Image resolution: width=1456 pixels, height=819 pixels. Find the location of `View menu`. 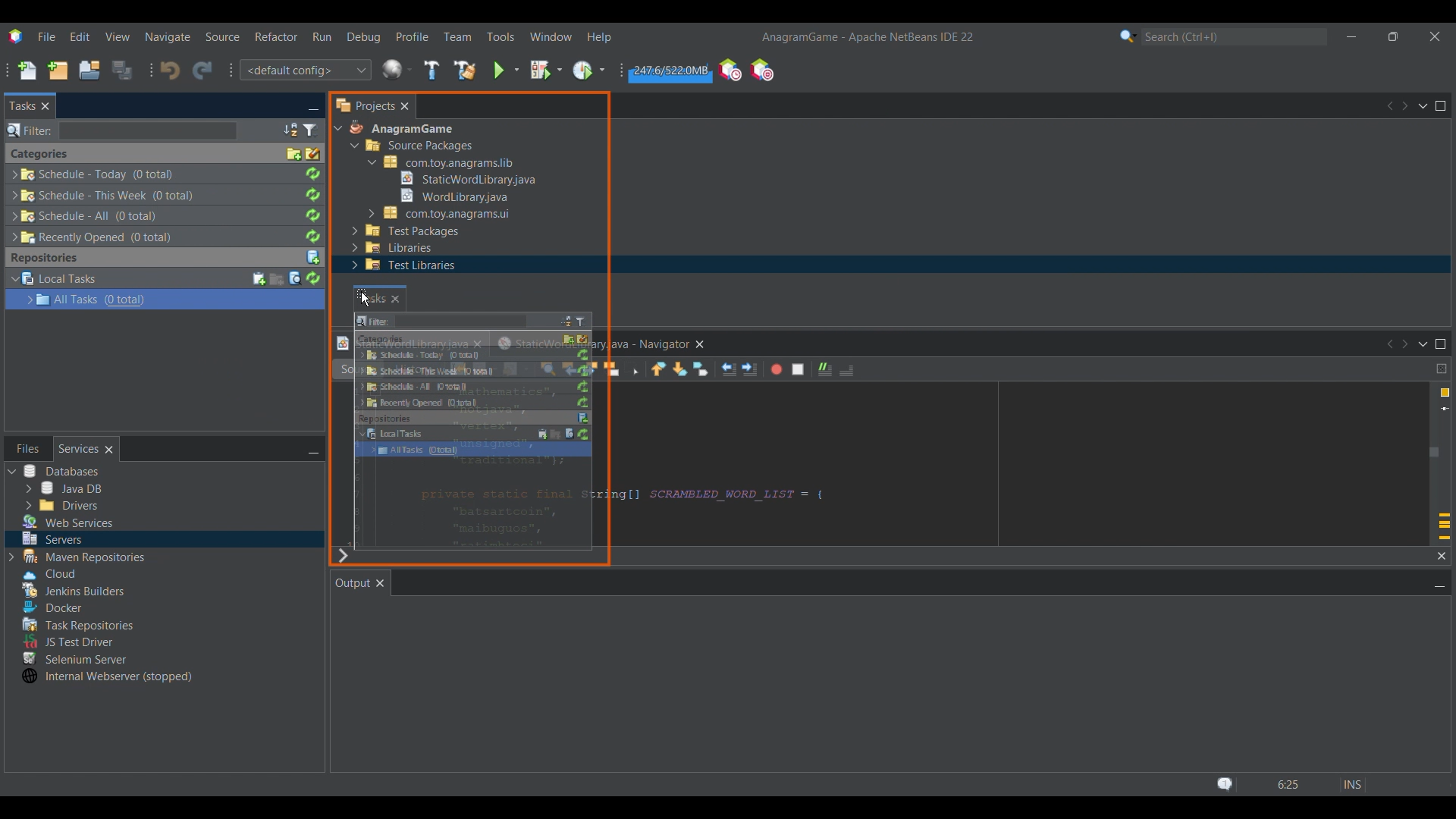

View menu is located at coordinates (118, 36).